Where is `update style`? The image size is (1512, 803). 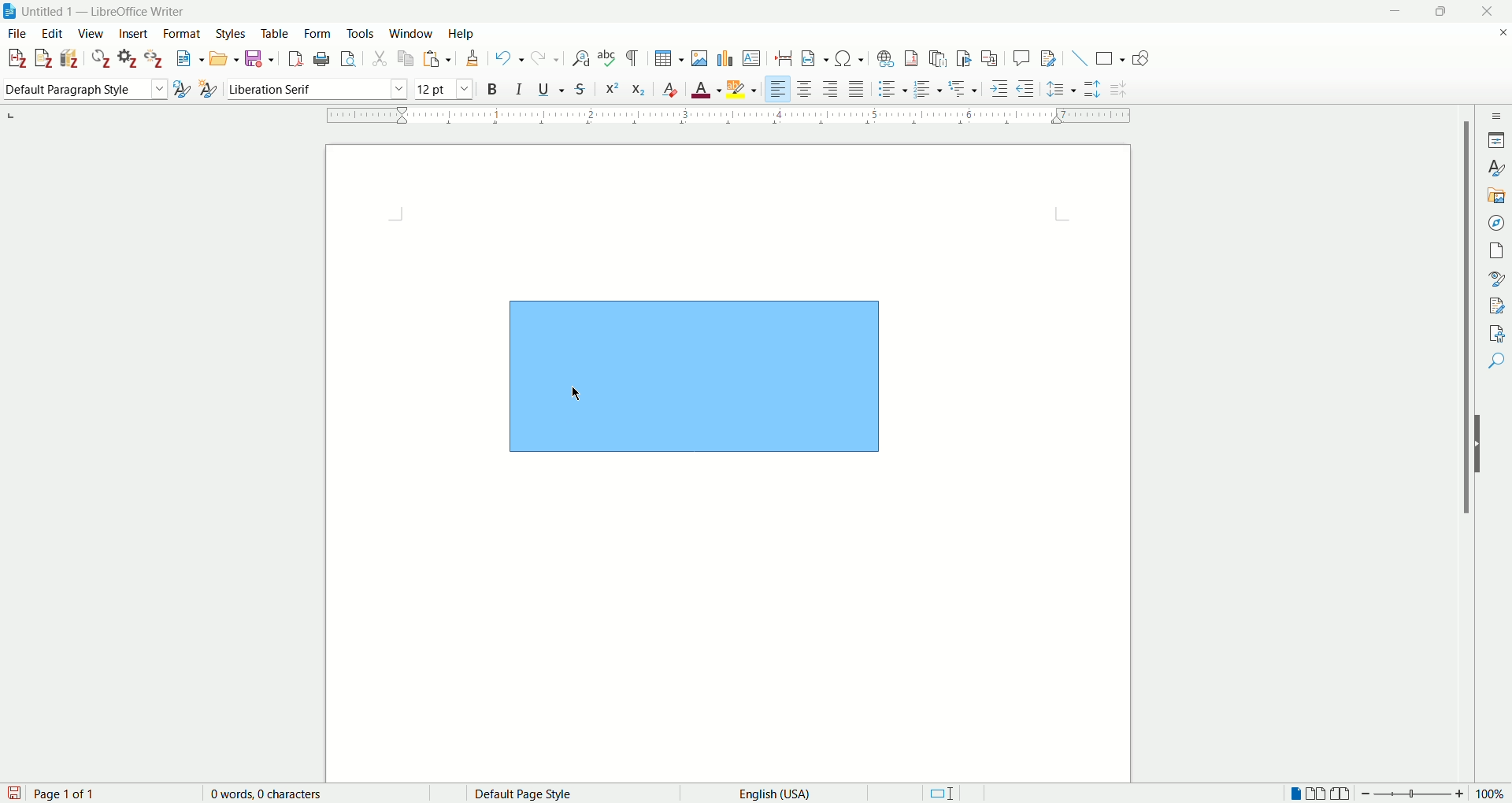 update style is located at coordinates (184, 88).